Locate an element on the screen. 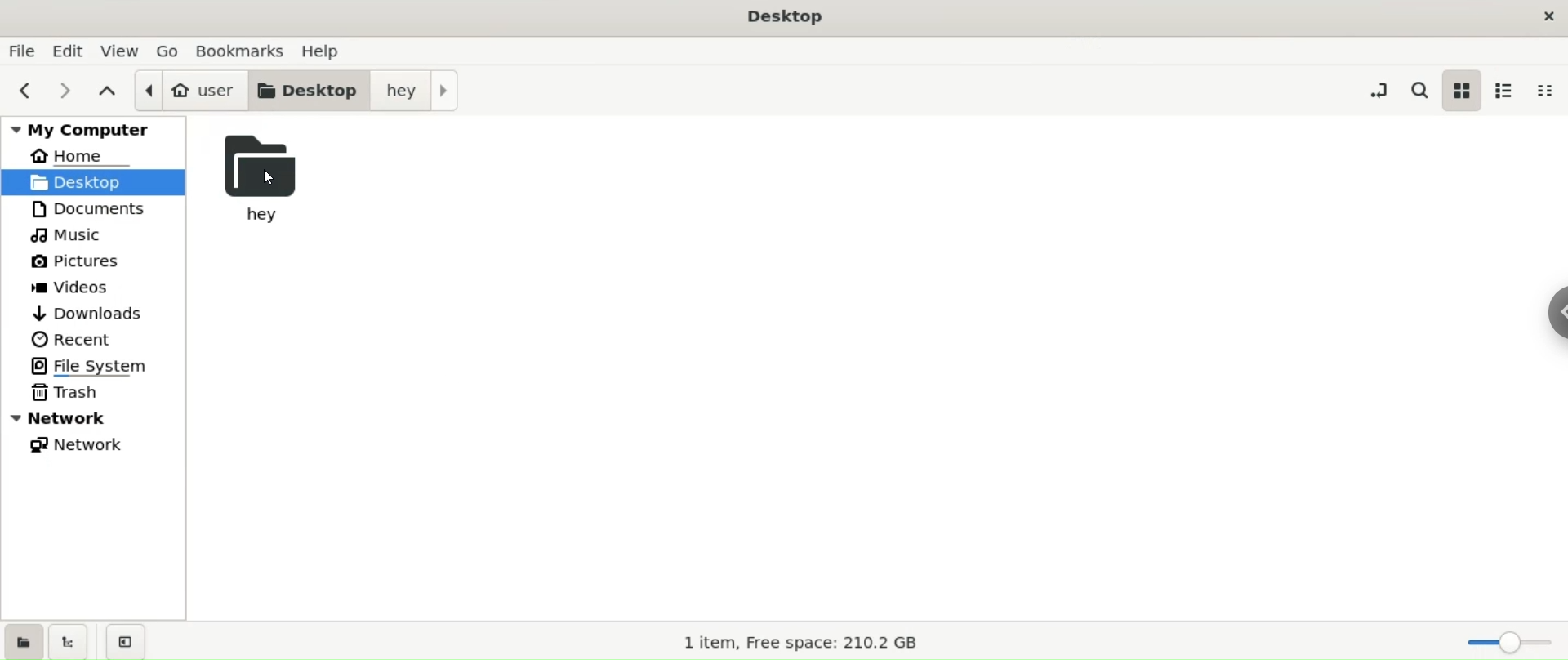 Image resolution: width=1568 pixels, height=660 pixels. view is located at coordinates (118, 49).